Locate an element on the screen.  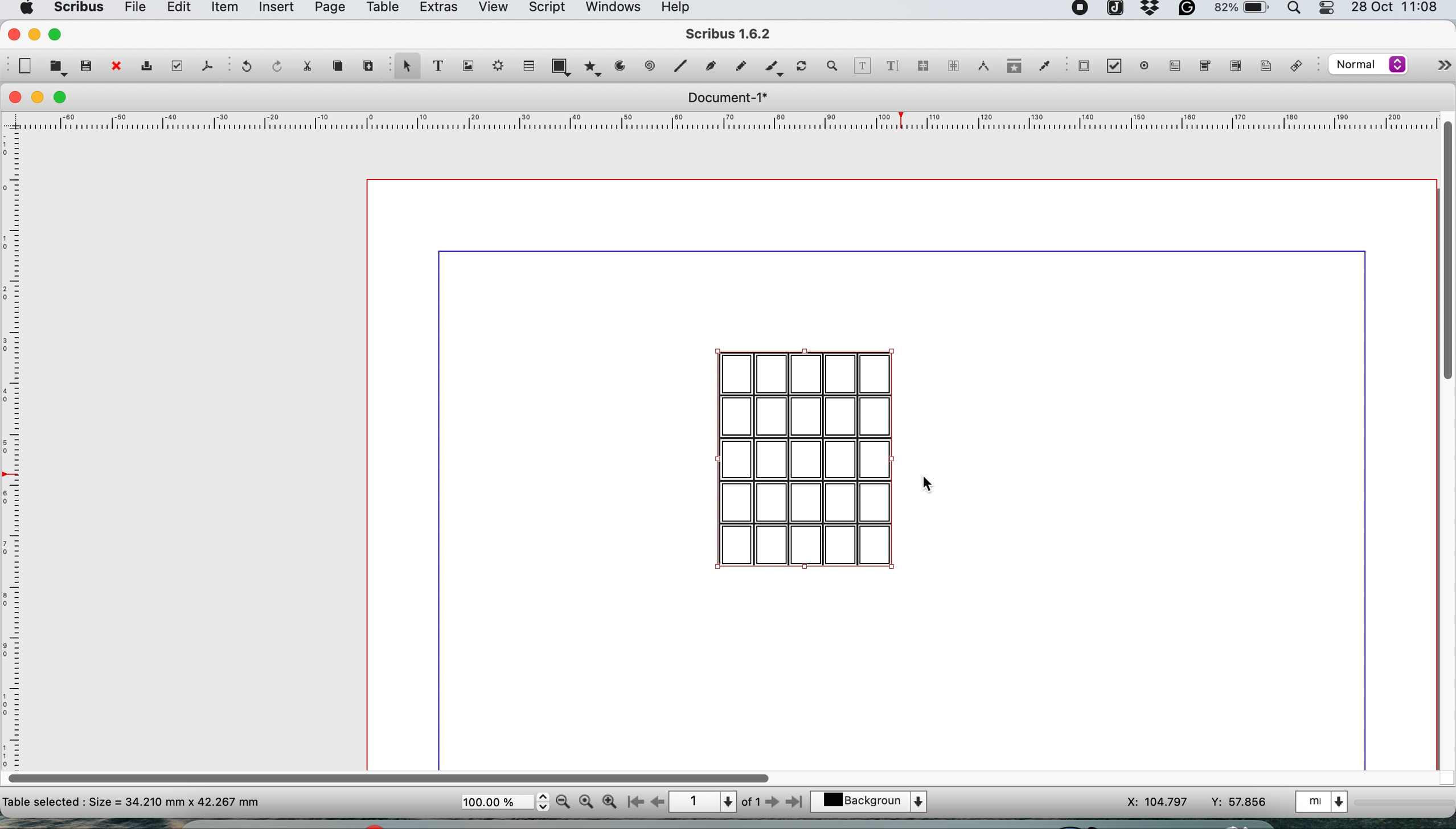
scribus is located at coordinates (729, 35).